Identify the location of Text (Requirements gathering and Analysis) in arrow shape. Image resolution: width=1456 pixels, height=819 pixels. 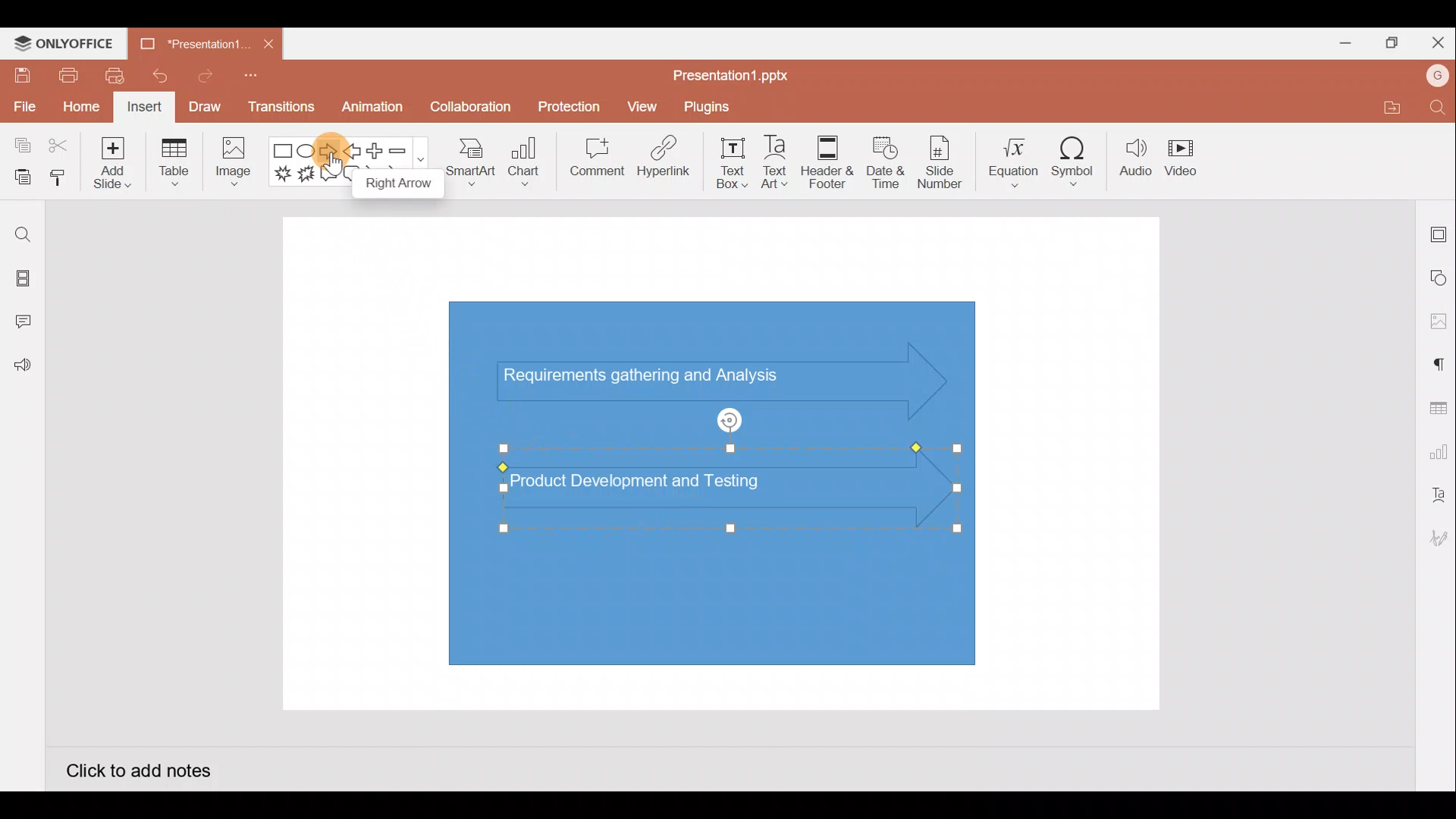
(654, 378).